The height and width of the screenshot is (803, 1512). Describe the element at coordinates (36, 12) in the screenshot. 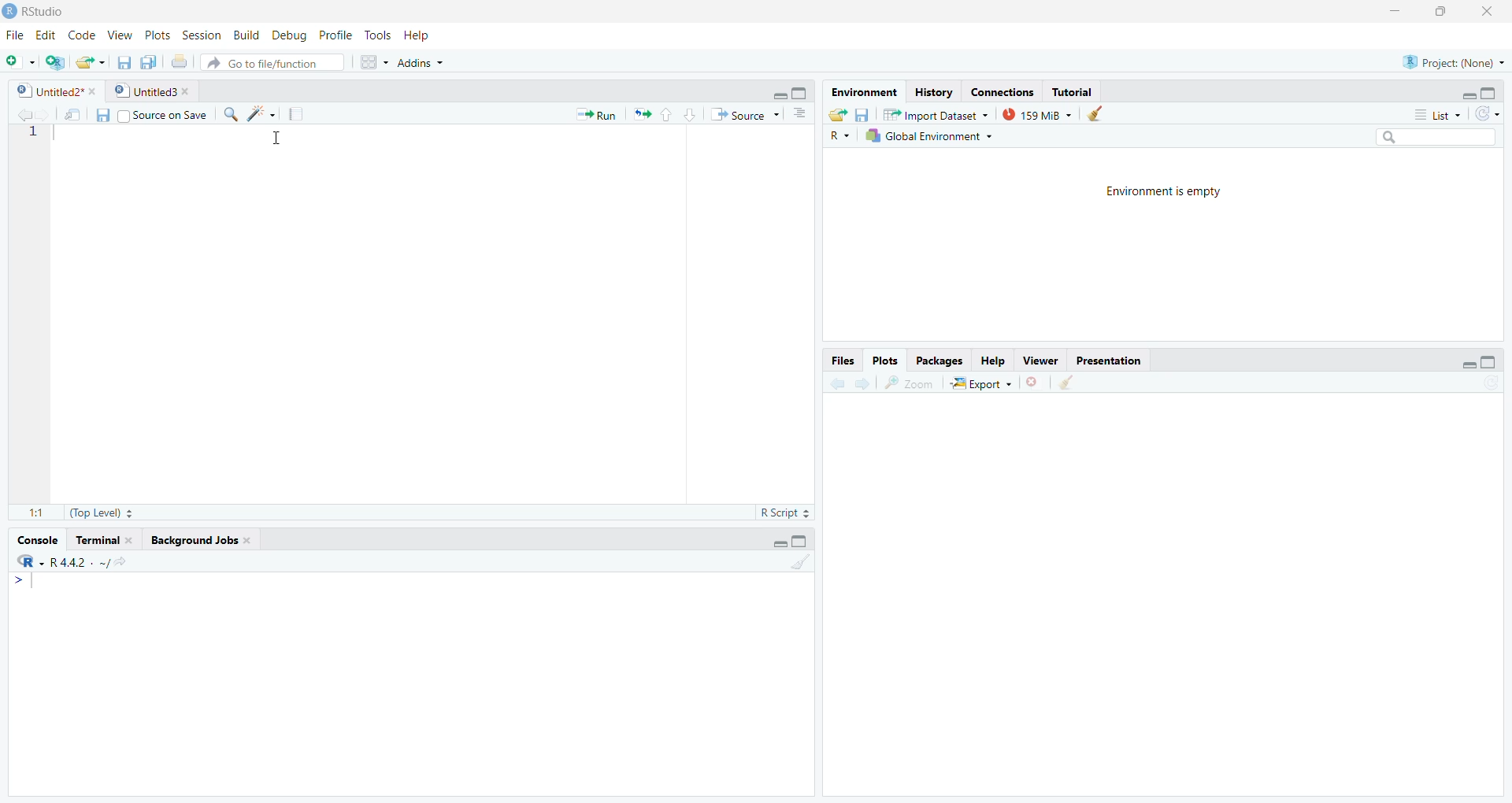

I see `RStudio` at that location.